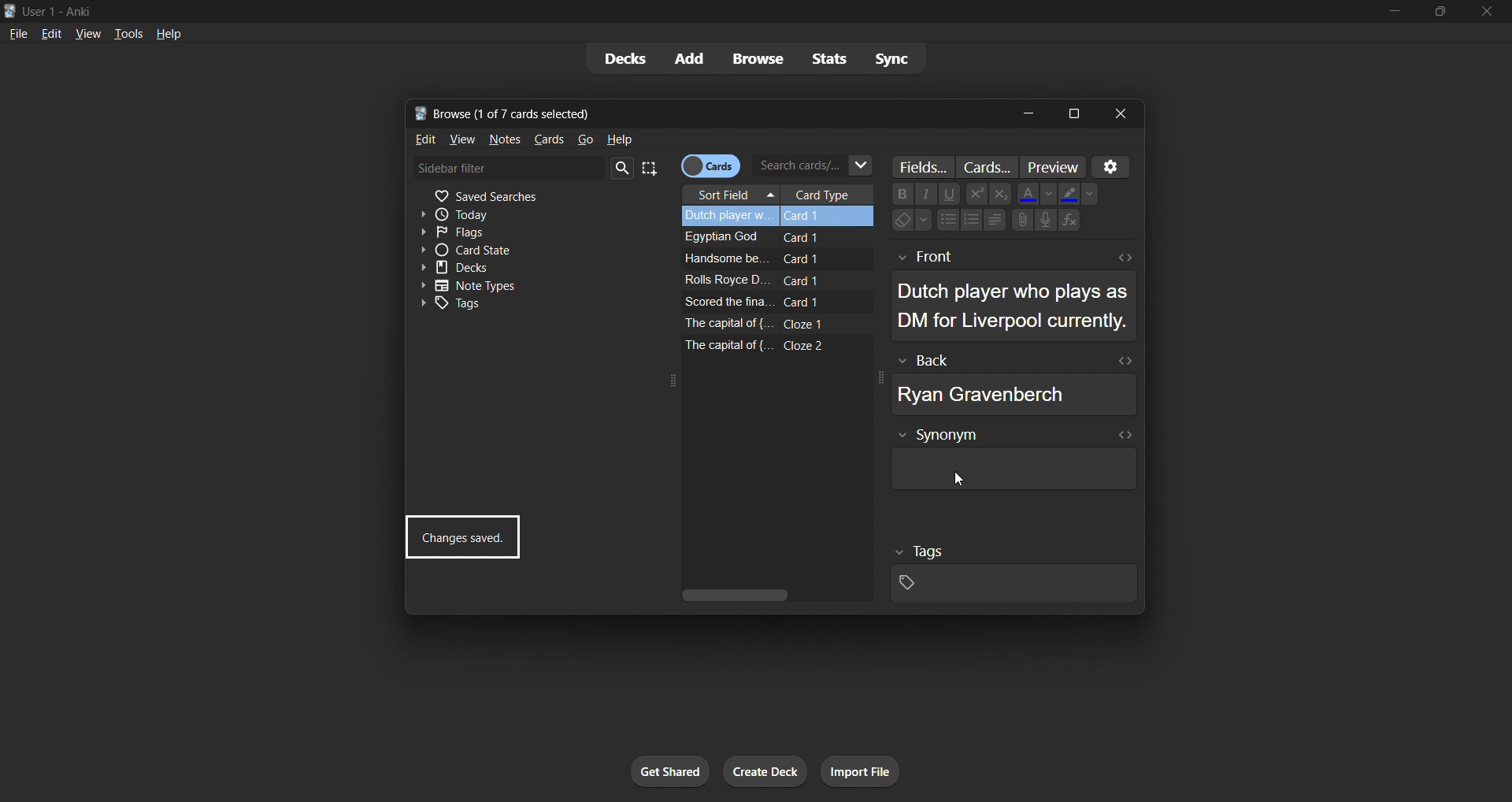 This screenshot has width=1512, height=802. Describe the element at coordinates (1073, 114) in the screenshot. I see `maximize` at that location.